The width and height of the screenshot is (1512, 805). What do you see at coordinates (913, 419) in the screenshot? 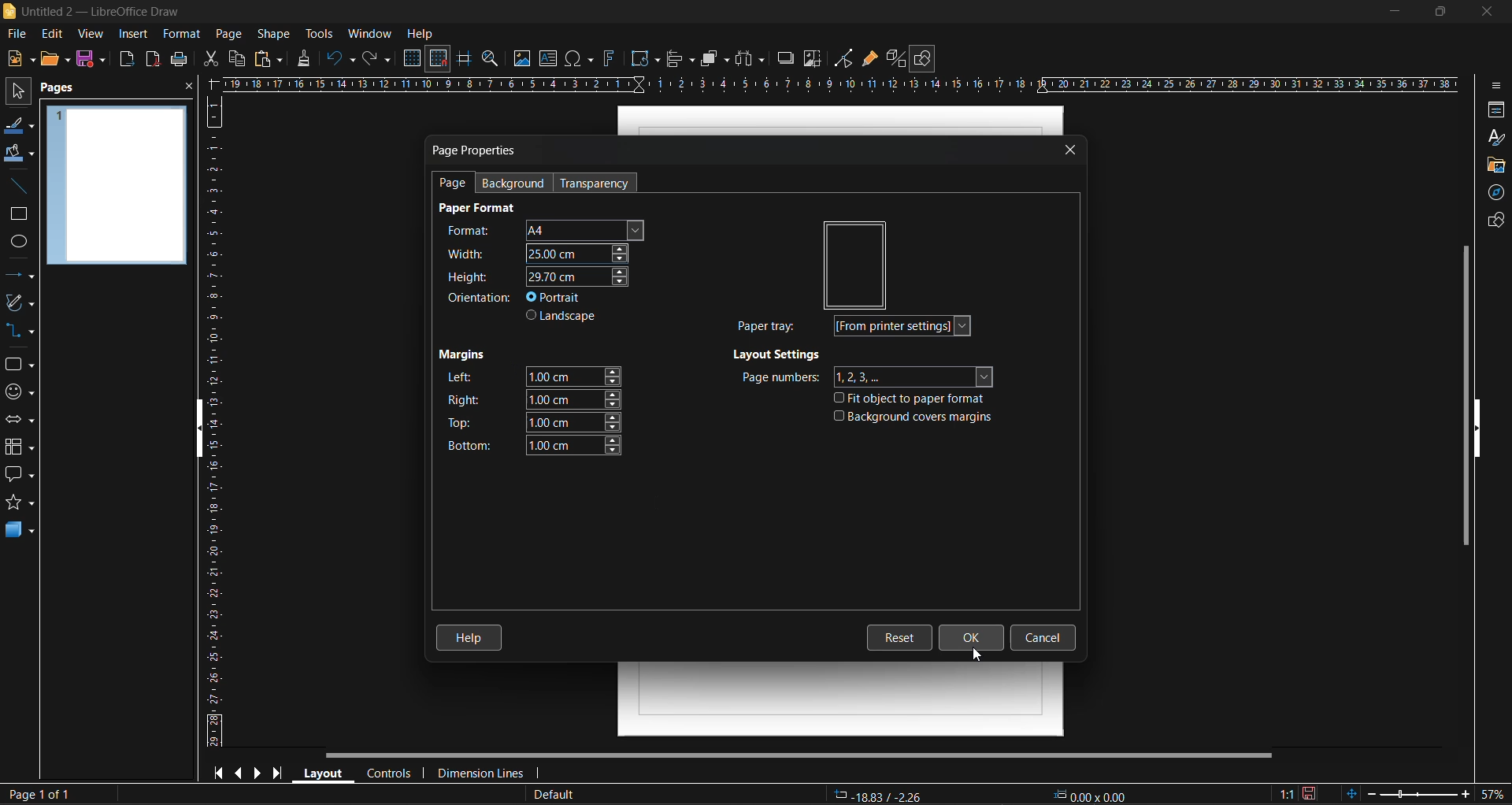
I see `background covers margins` at bounding box center [913, 419].